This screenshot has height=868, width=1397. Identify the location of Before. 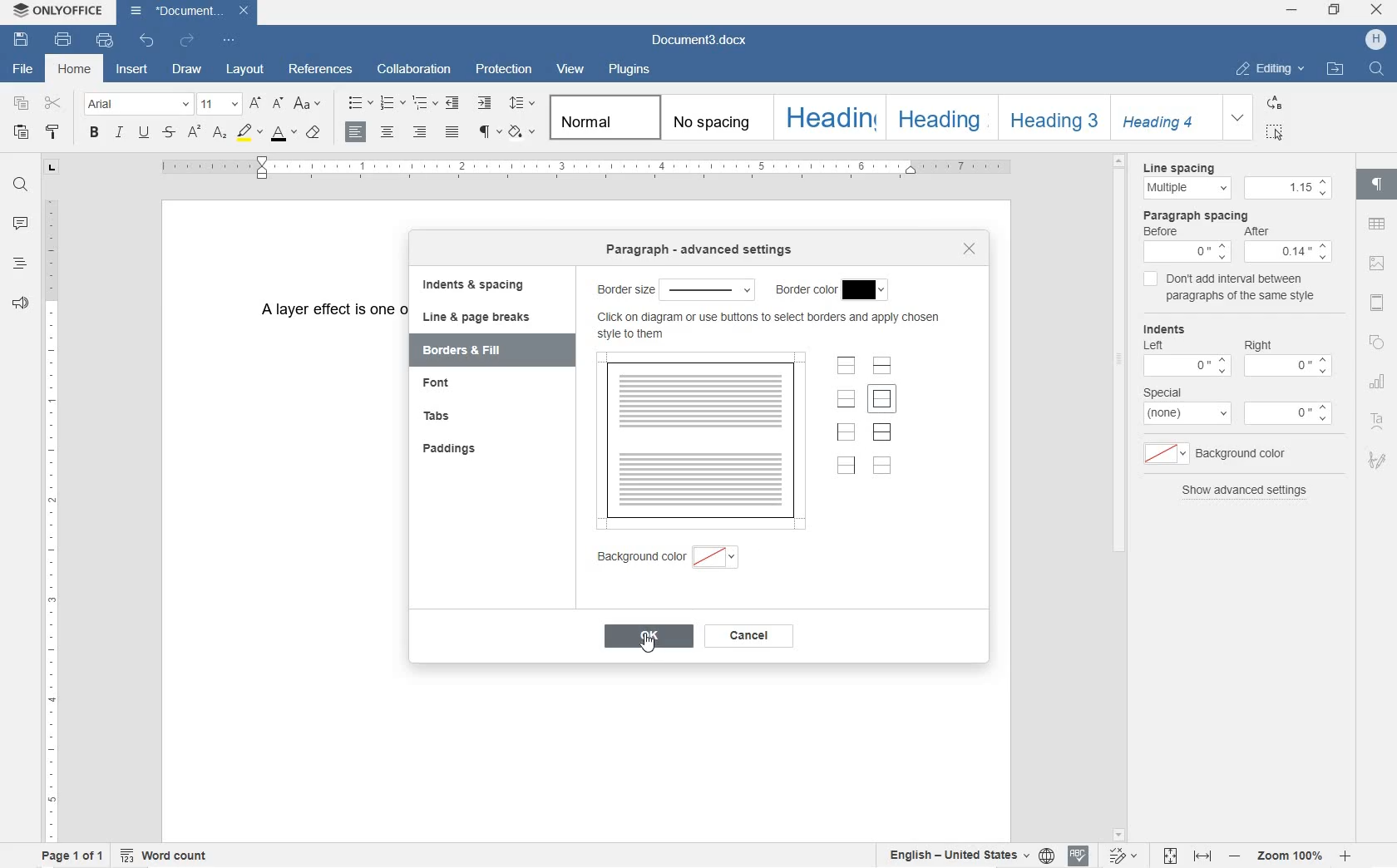
(1187, 245).